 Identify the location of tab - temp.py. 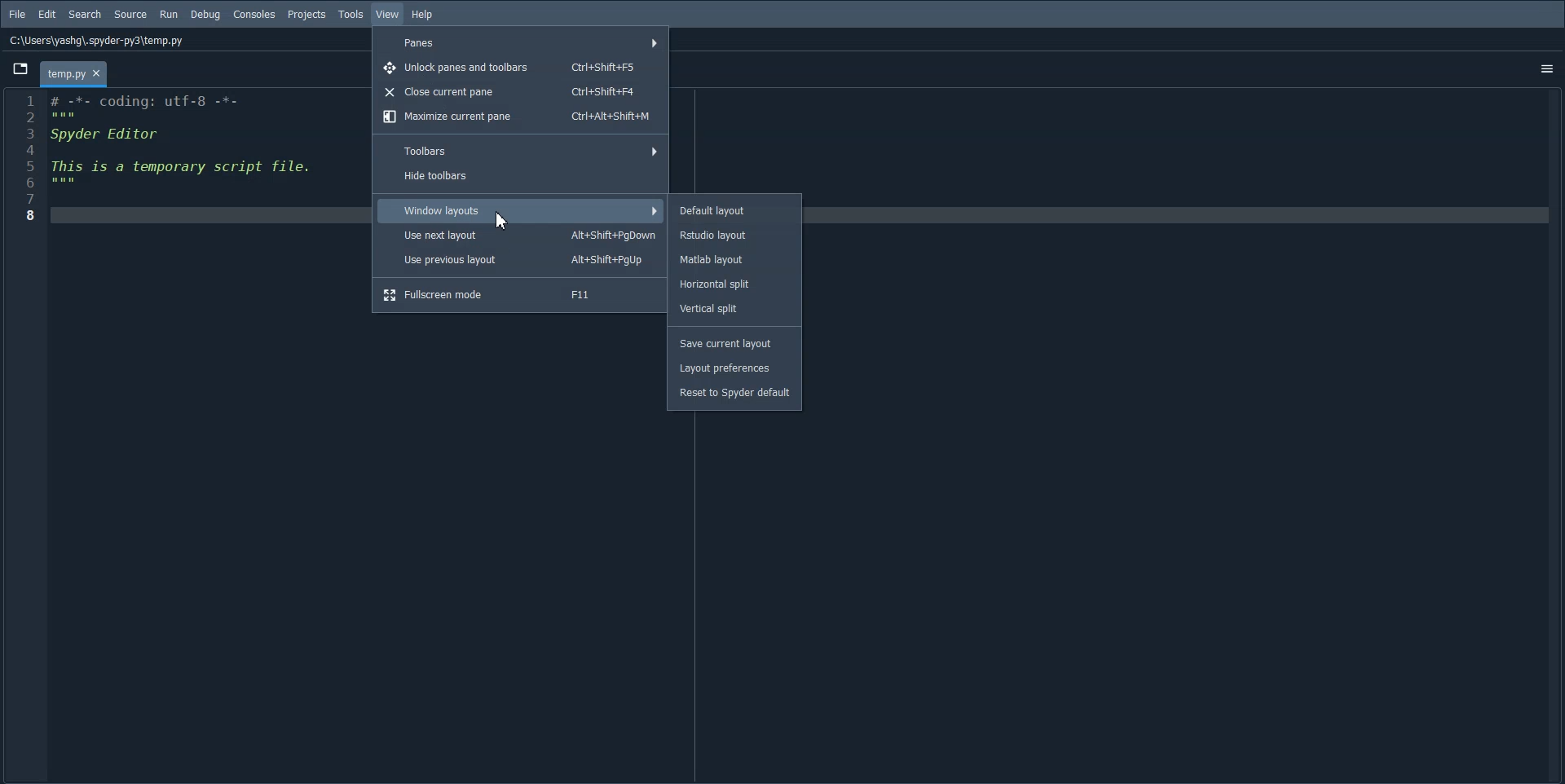
(73, 74).